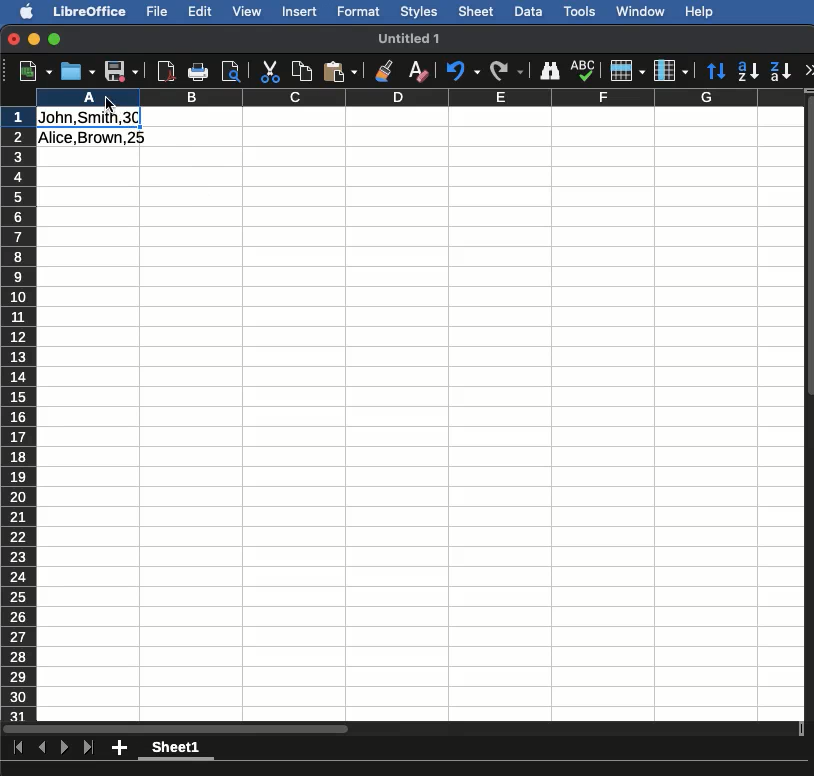 The height and width of the screenshot is (776, 814). Describe the element at coordinates (165, 71) in the screenshot. I see `Export to pdf` at that location.